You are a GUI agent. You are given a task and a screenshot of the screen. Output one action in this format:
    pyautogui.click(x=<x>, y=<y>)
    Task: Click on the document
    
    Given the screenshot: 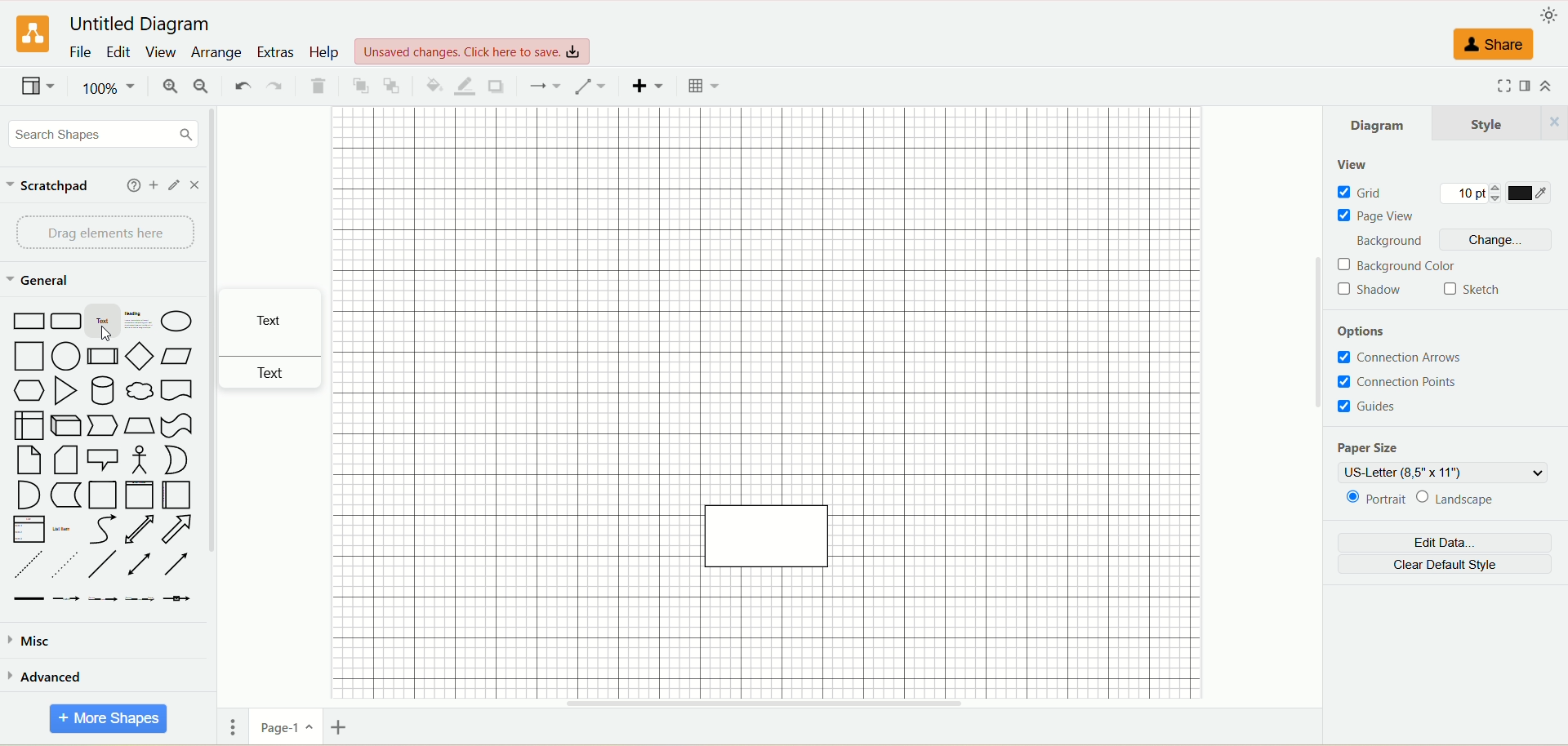 What is the action you would take?
    pyautogui.click(x=176, y=390)
    